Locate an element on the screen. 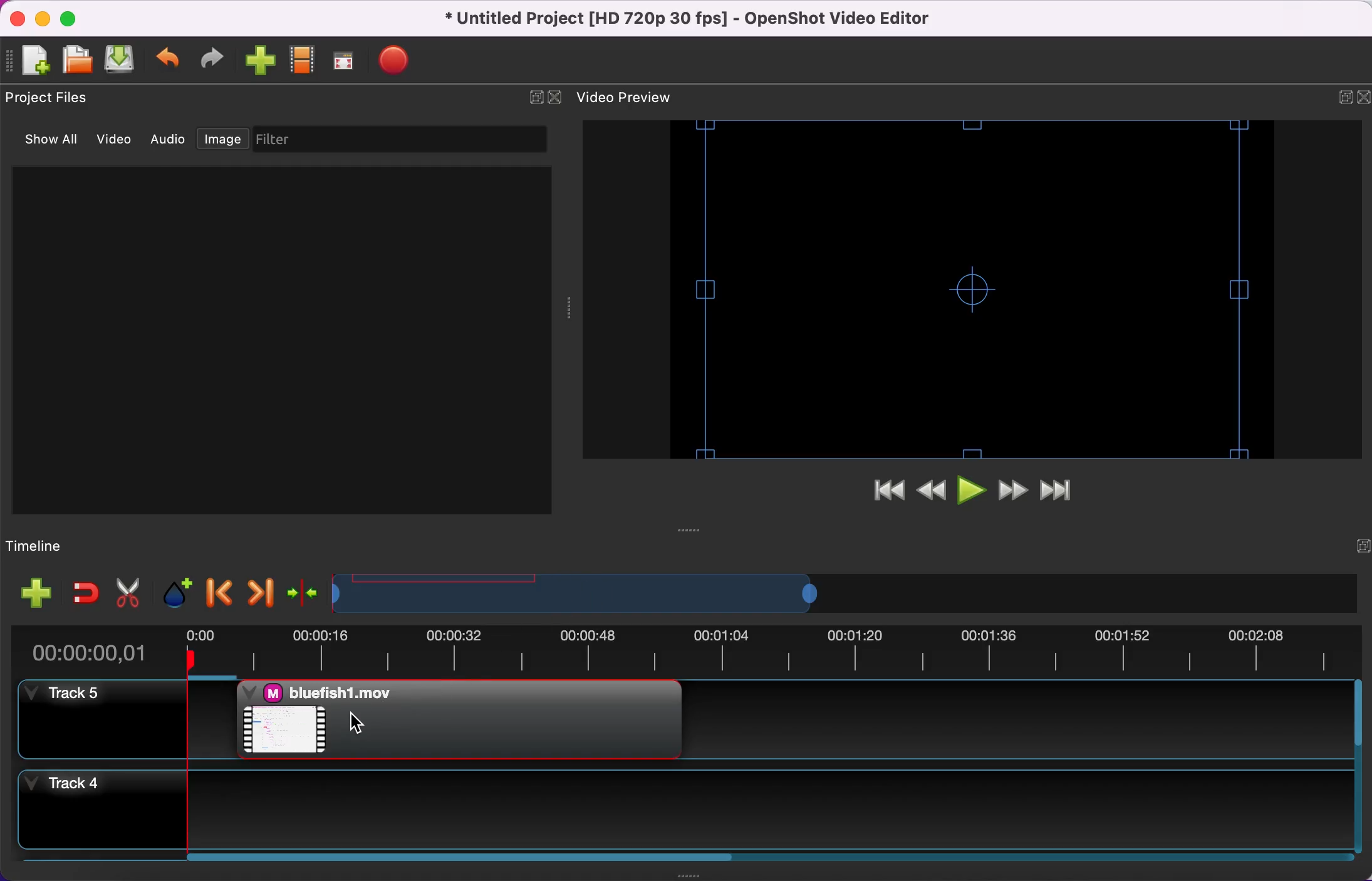  audio is located at coordinates (169, 142).